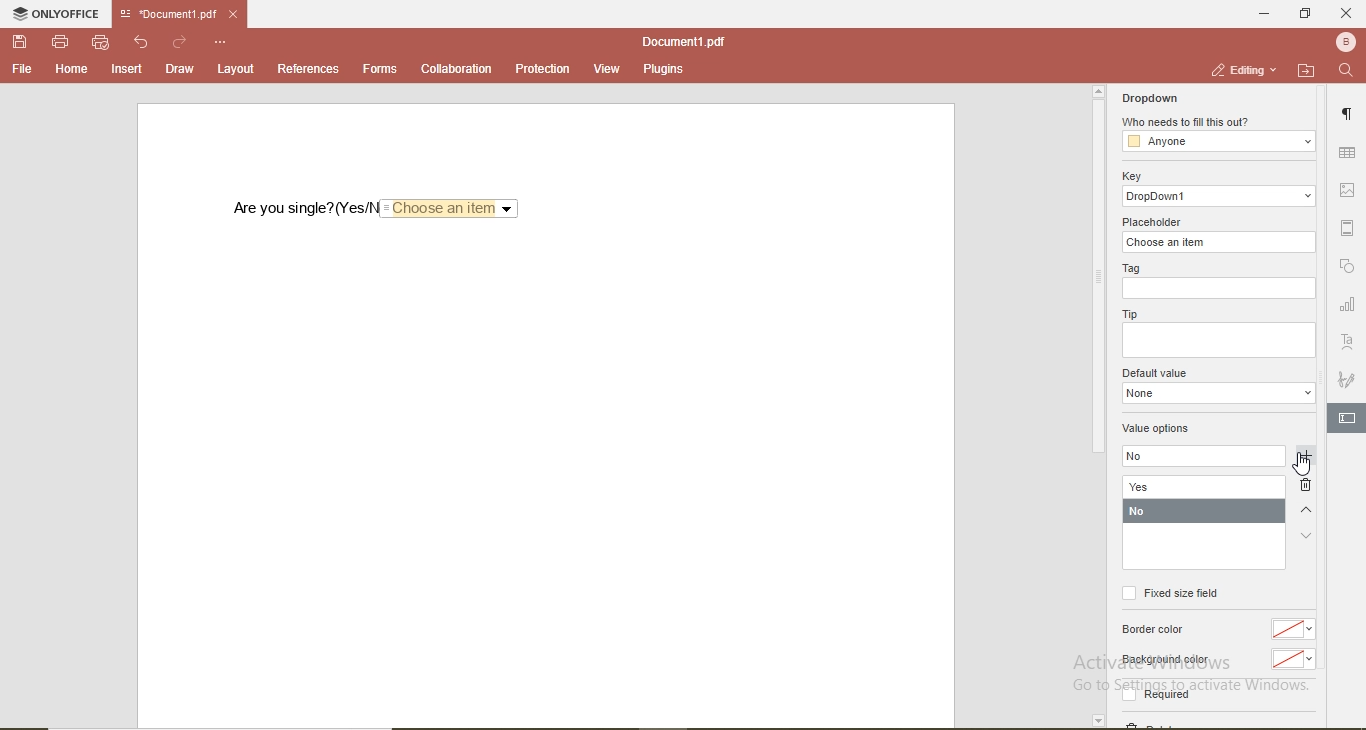  What do you see at coordinates (1151, 220) in the screenshot?
I see `placeholder` at bounding box center [1151, 220].